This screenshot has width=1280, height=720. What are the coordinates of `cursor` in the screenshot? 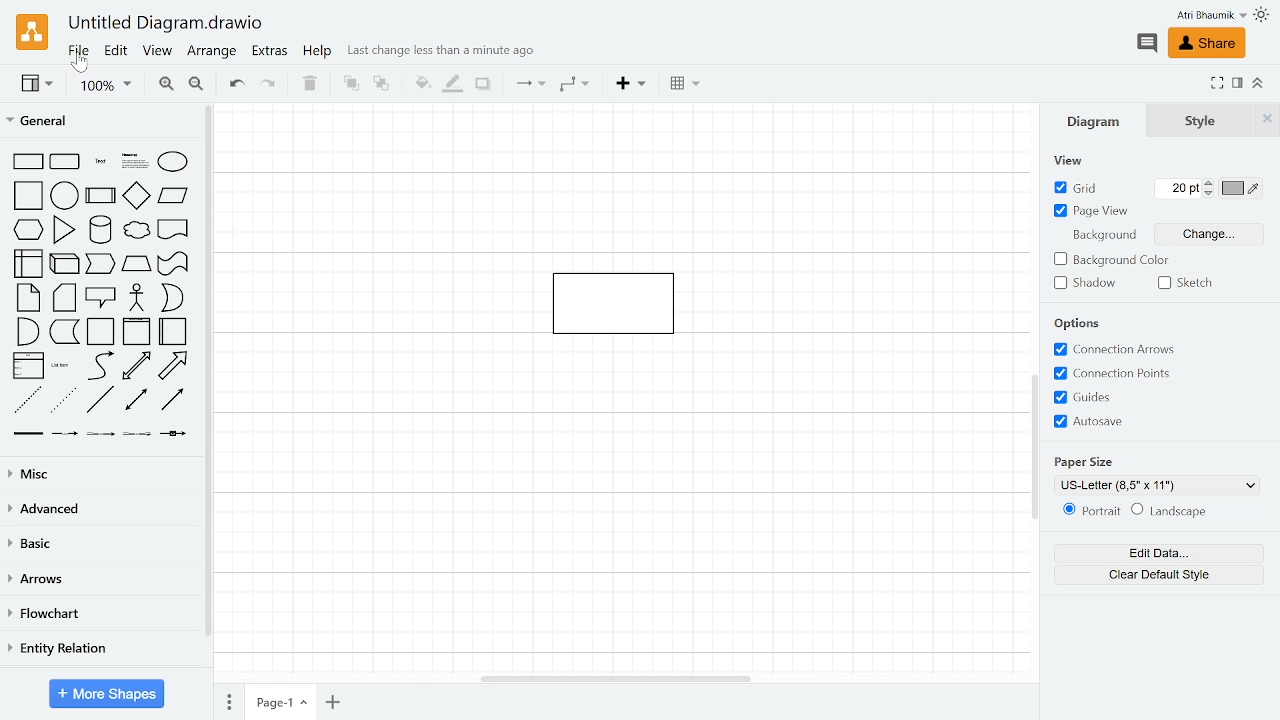 It's located at (79, 63).